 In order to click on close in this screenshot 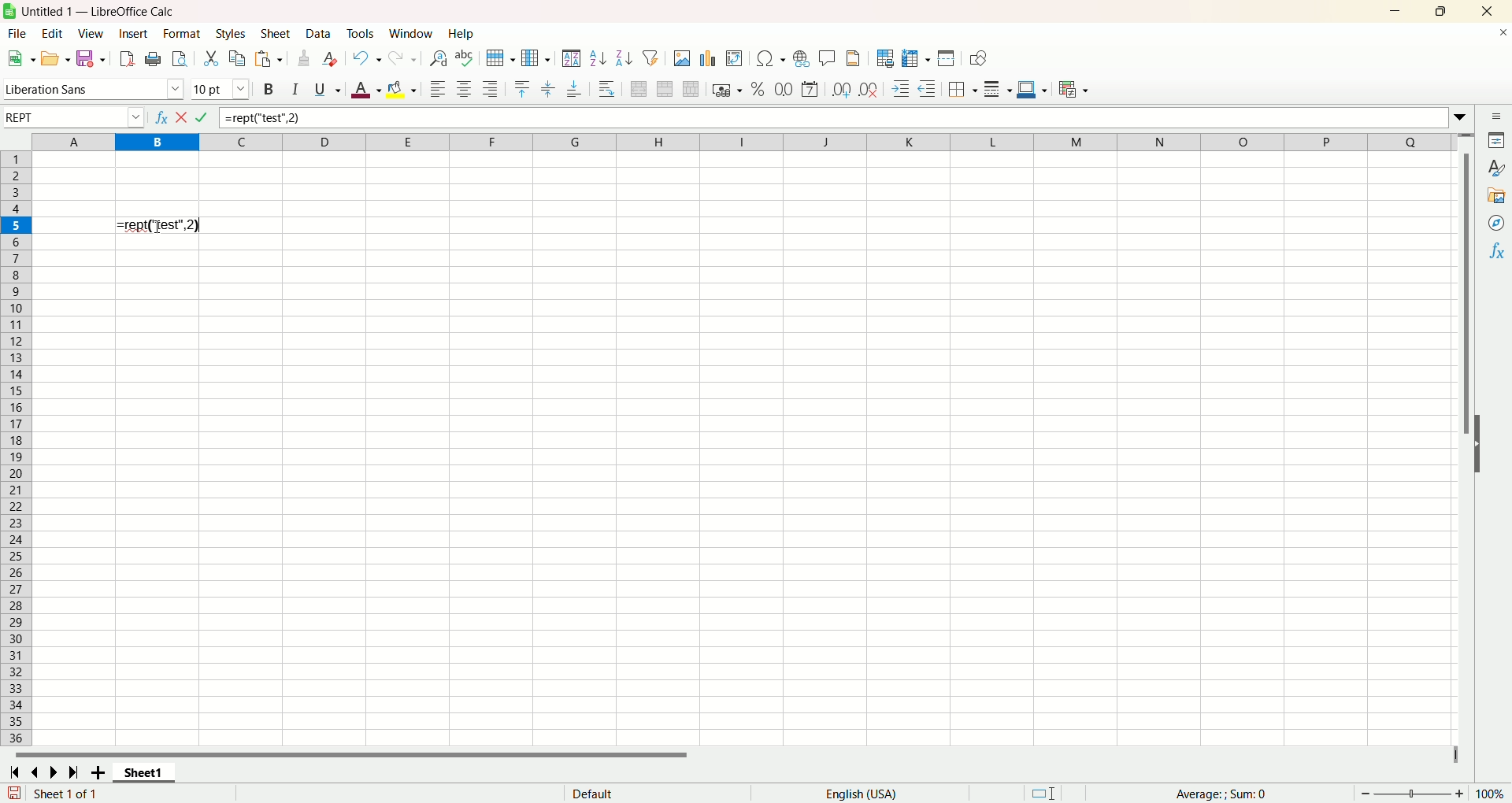, I will do `click(1488, 11)`.